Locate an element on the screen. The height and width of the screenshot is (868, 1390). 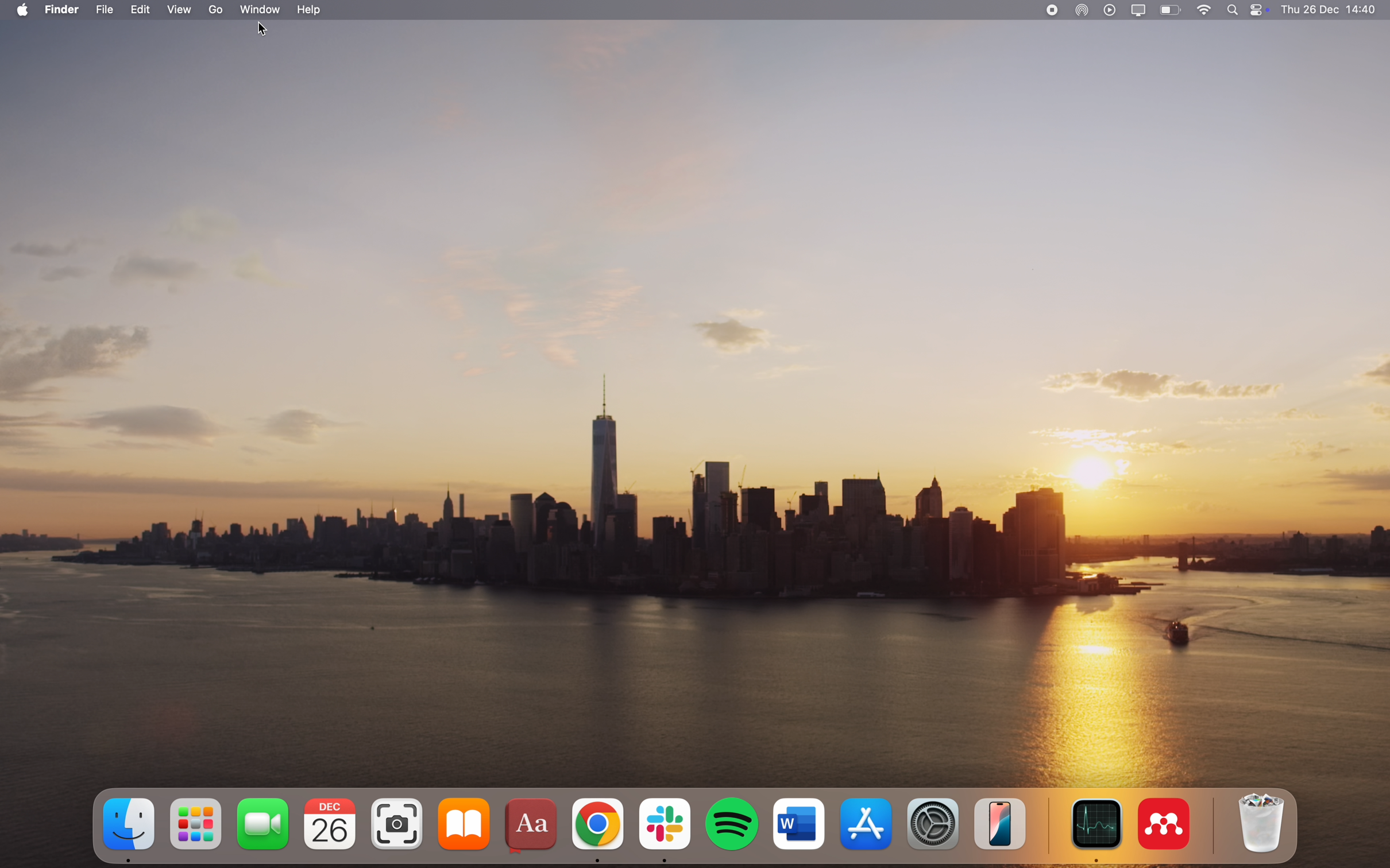
settings is located at coordinates (930, 824).